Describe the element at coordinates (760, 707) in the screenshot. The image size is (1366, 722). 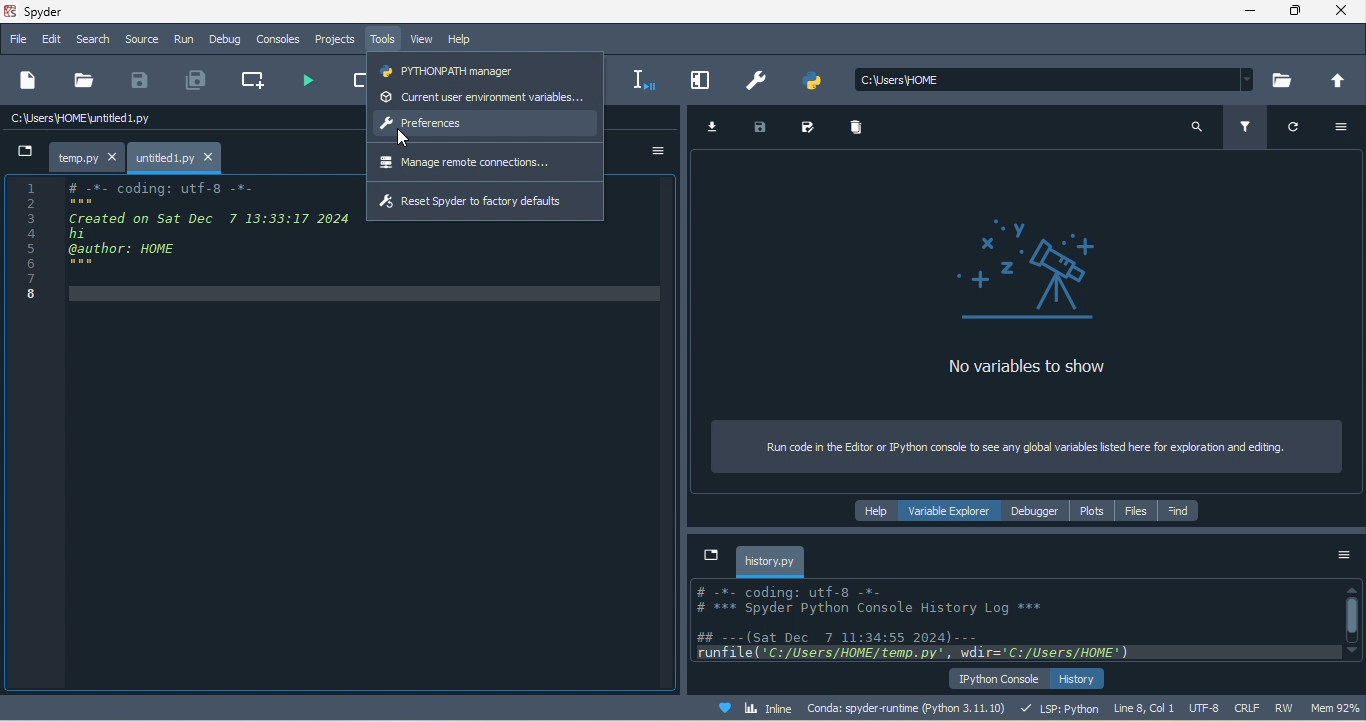
I see `inline` at that location.